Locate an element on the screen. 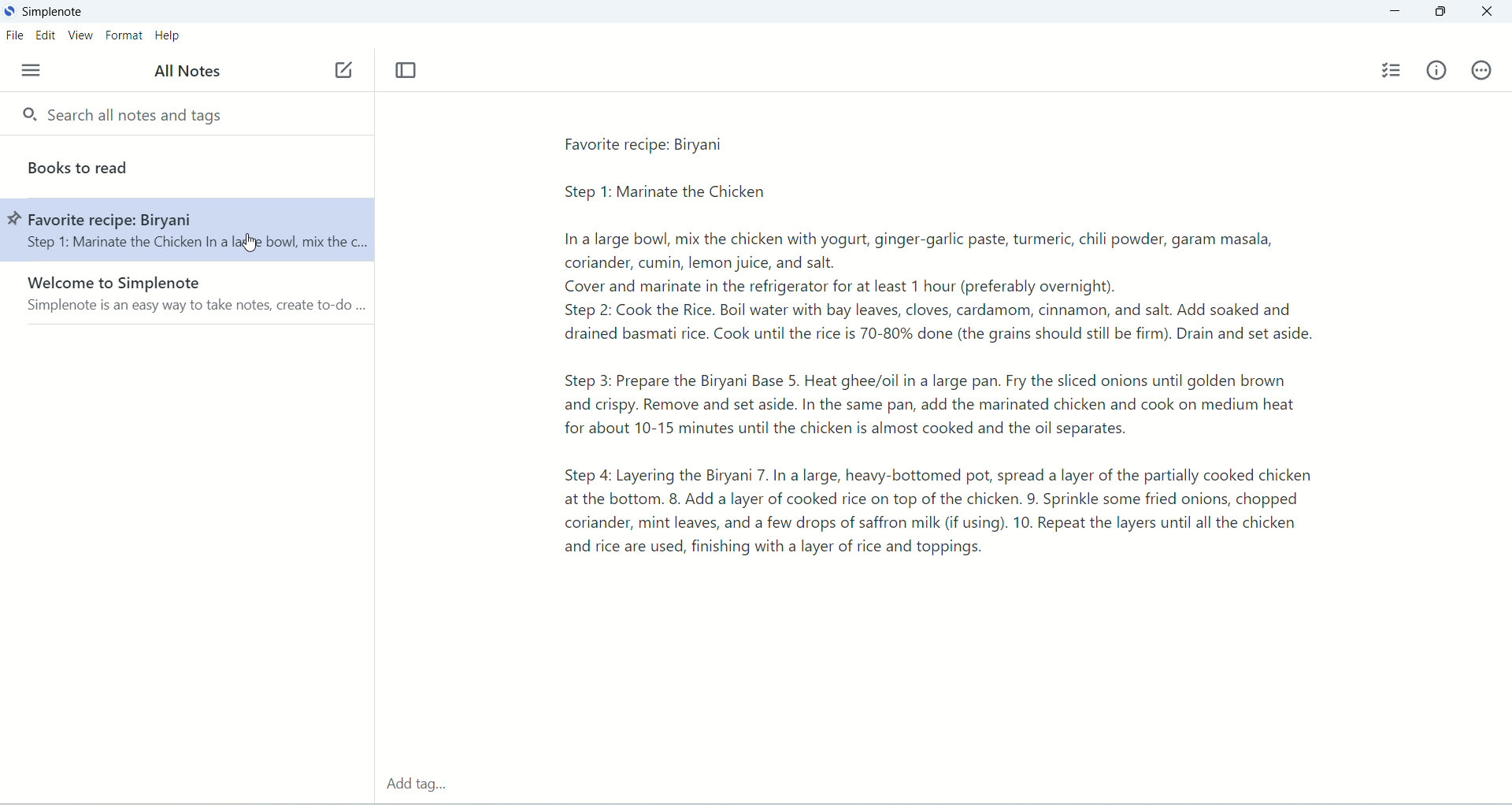  insert checklist is located at coordinates (1393, 71).